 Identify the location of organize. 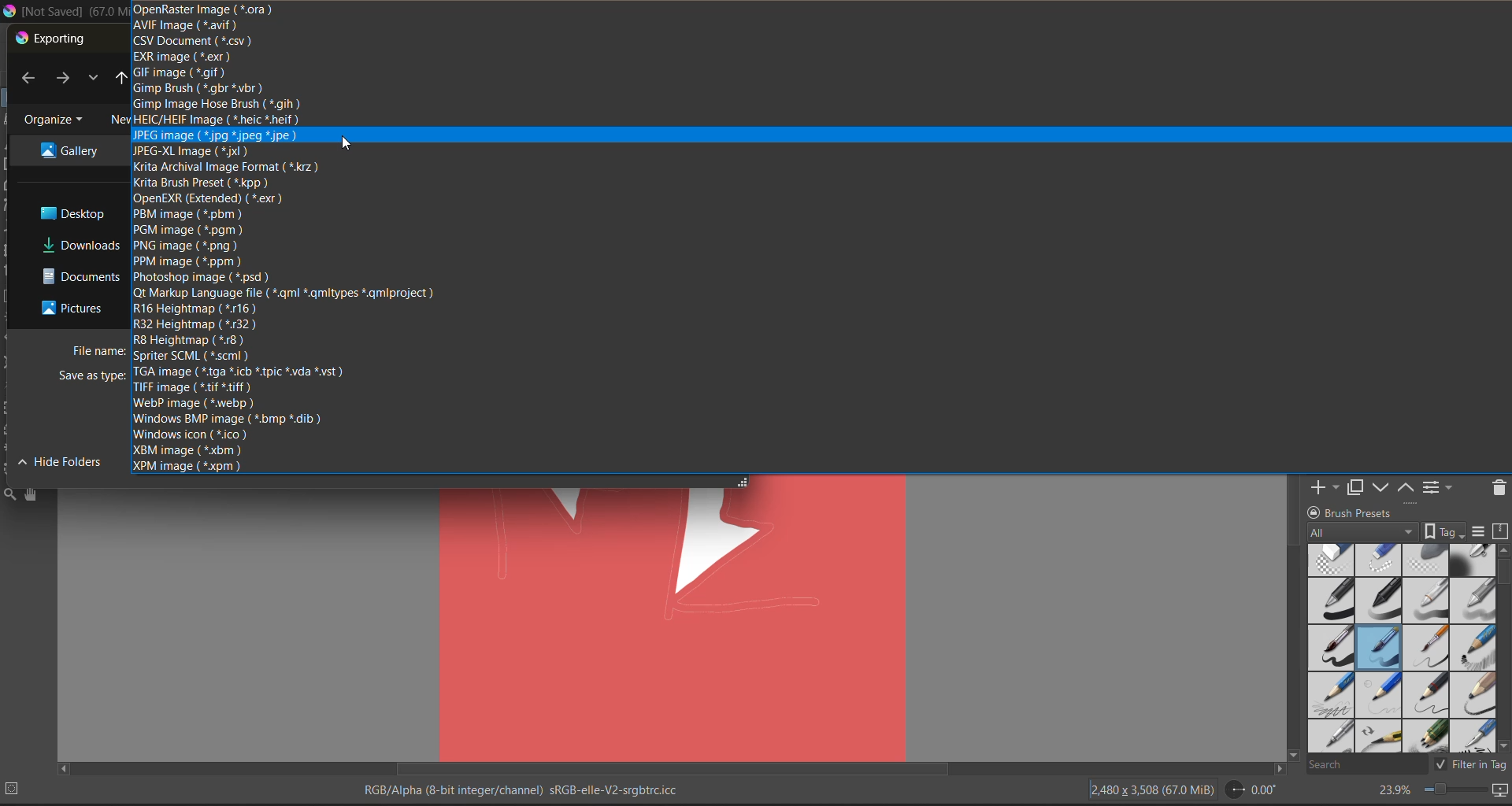
(54, 122).